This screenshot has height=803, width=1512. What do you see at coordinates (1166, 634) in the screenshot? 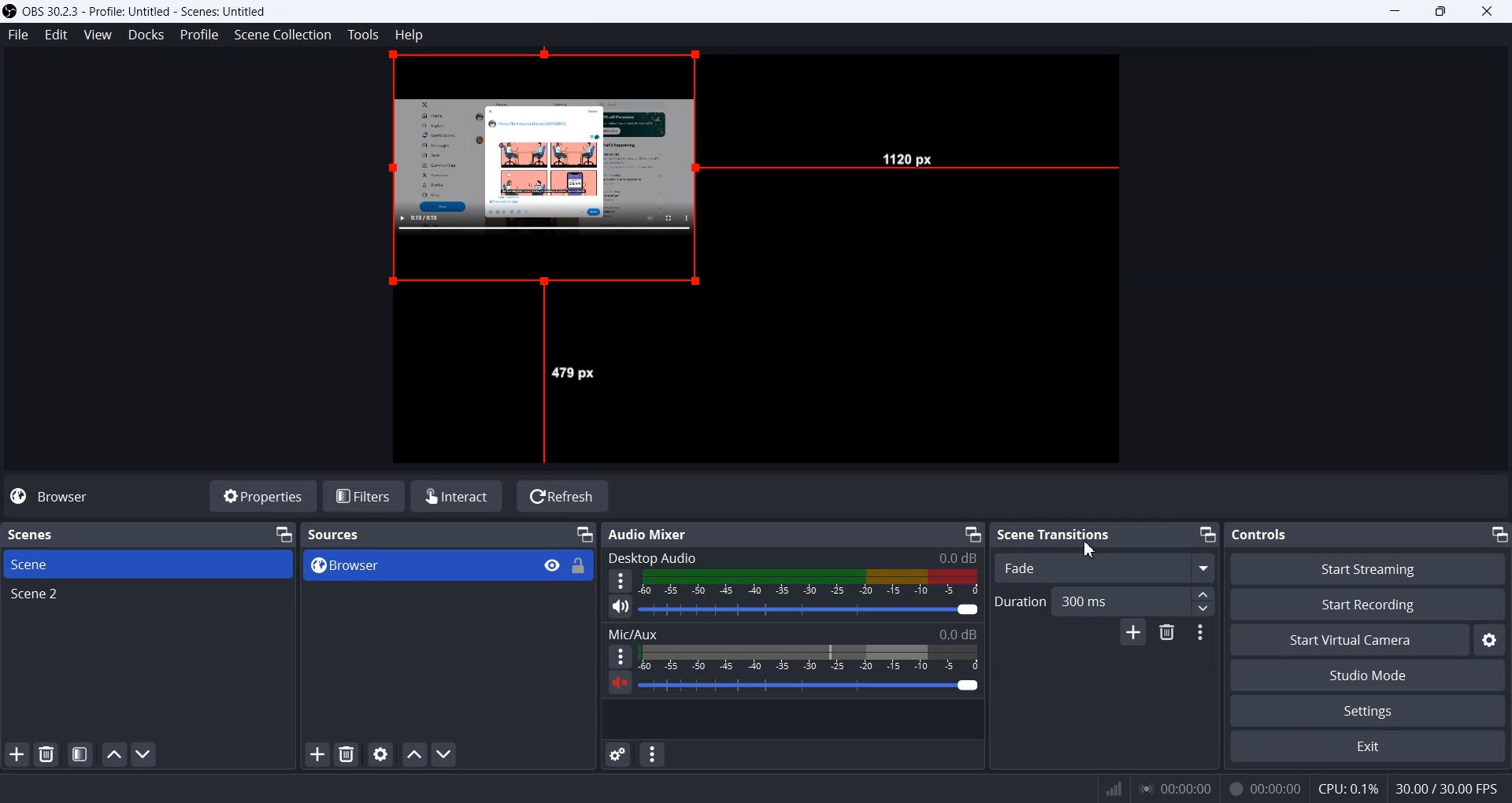
I see `Remove configurable transition` at bounding box center [1166, 634].